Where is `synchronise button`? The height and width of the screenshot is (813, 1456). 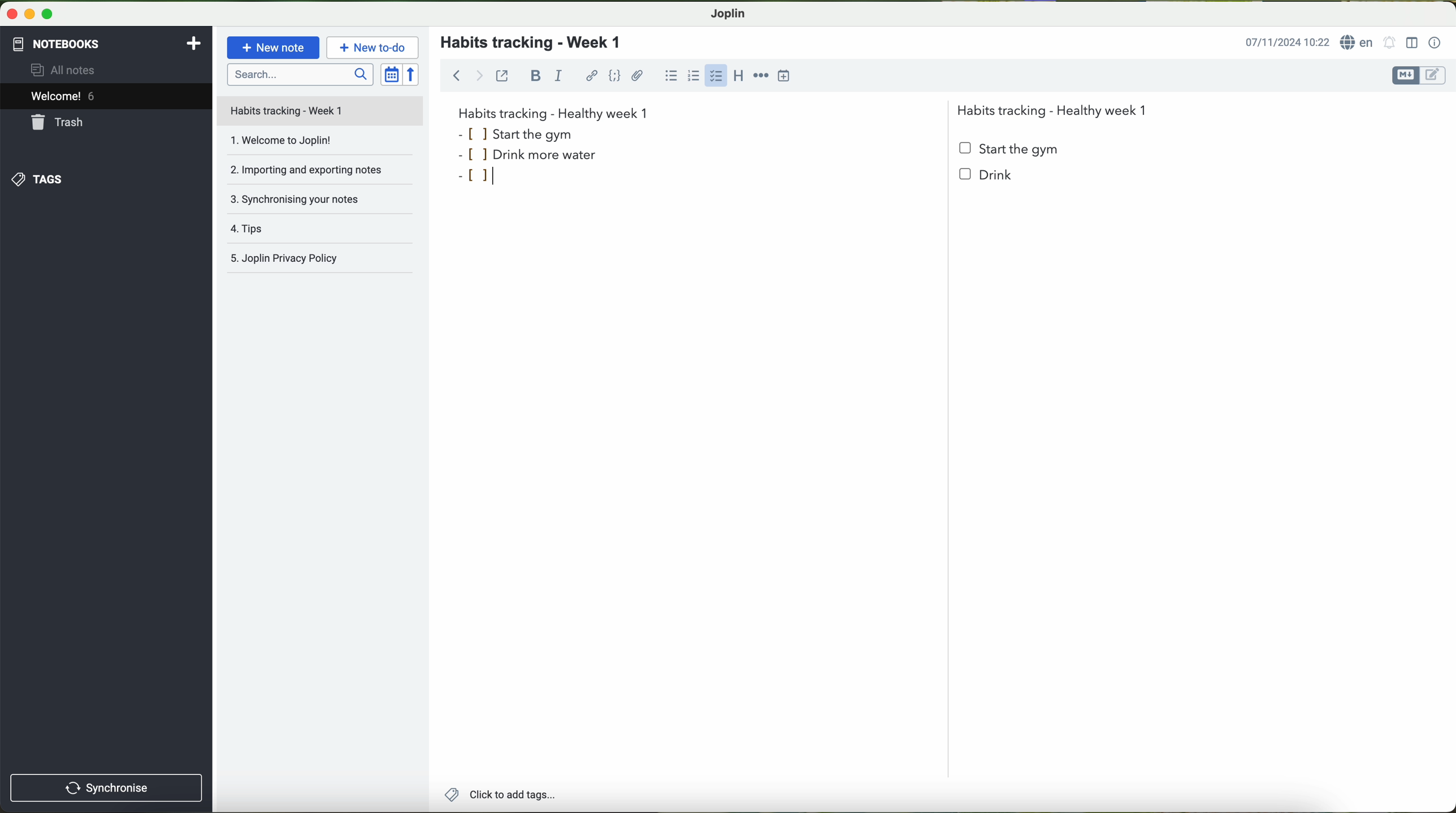
synchronise button is located at coordinates (107, 788).